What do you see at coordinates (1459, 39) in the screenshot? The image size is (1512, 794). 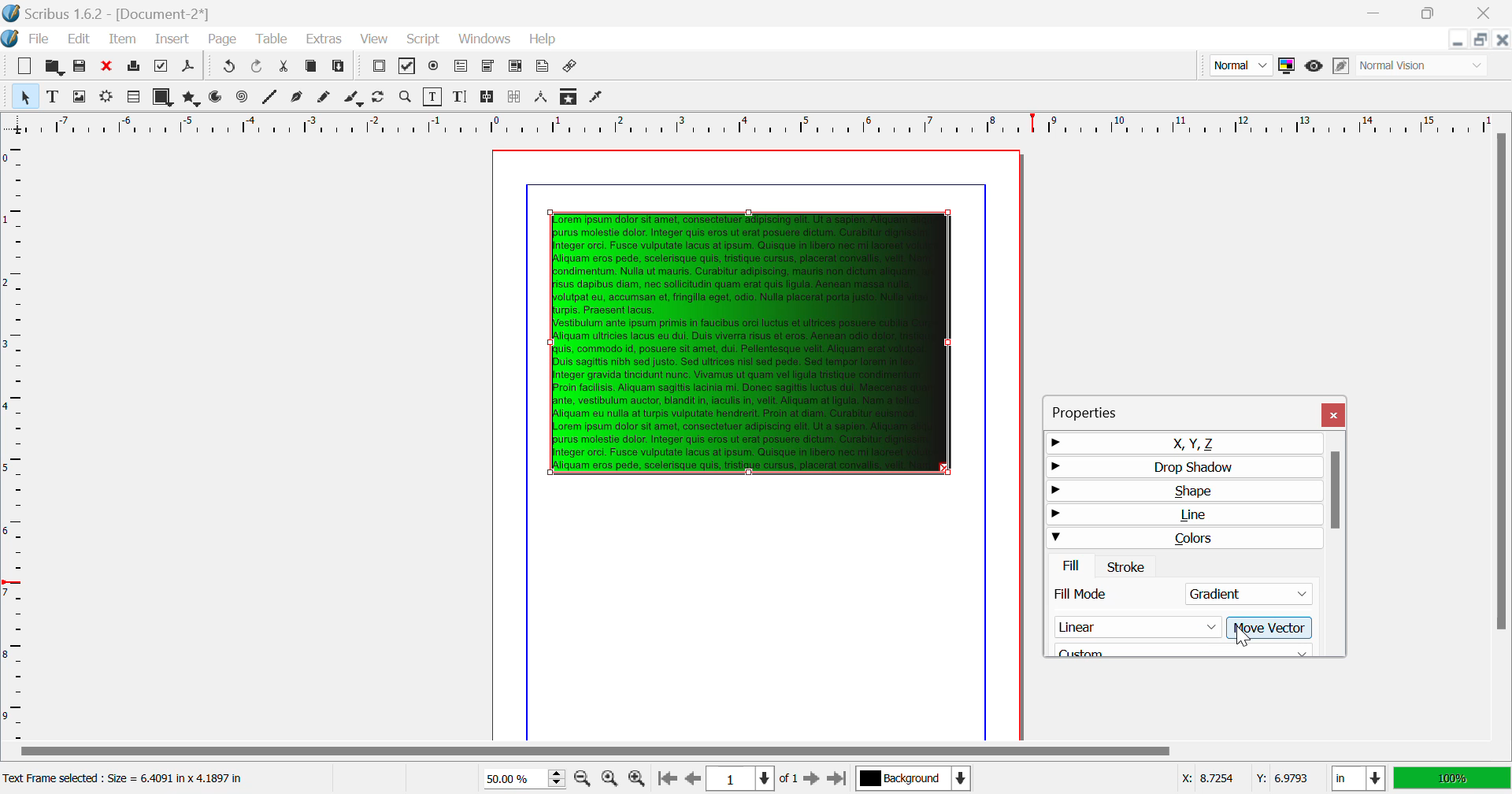 I see `Restore Down` at bounding box center [1459, 39].